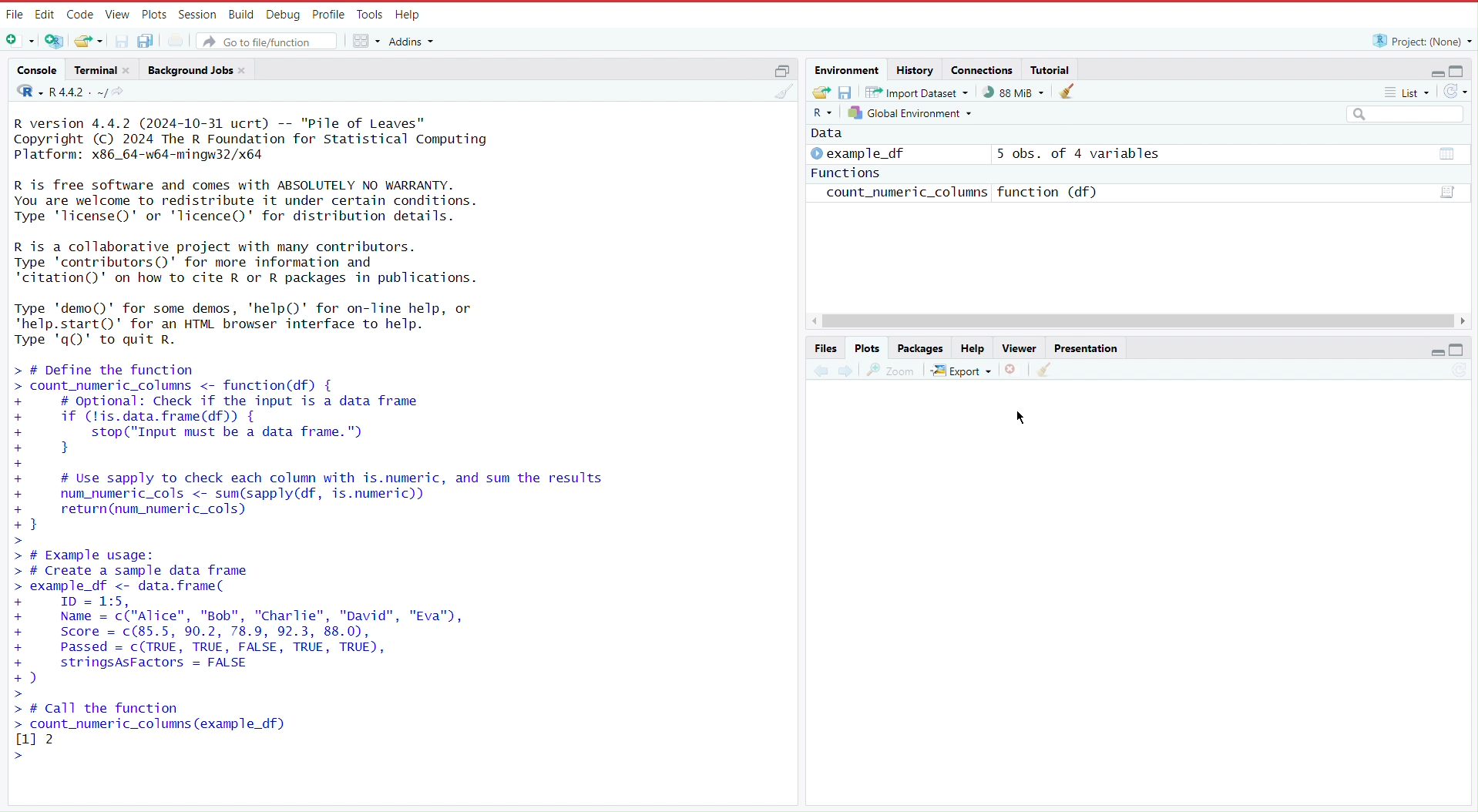 The image size is (1478, 812). Describe the element at coordinates (922, 348) in the screenshot. I see `Packages` at that location.